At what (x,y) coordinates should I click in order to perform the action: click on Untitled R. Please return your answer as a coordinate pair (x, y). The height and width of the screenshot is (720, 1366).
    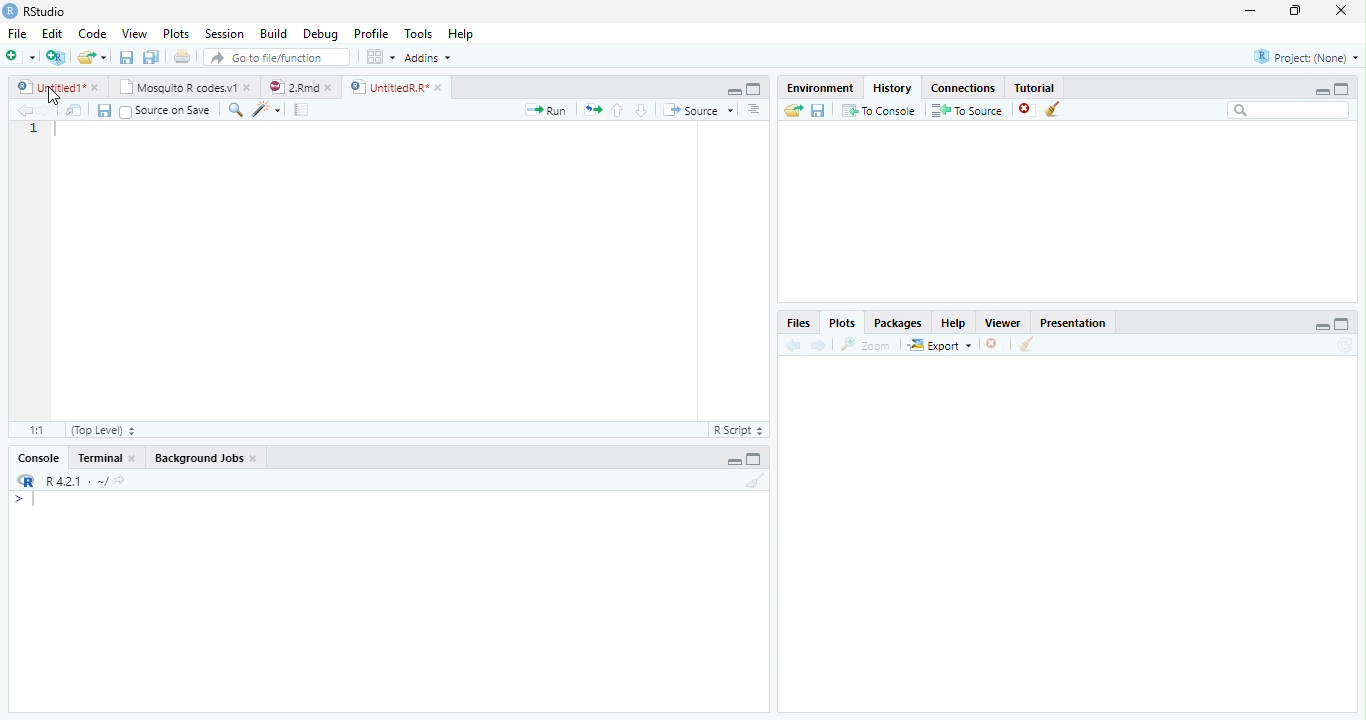
    Looking at the image, I should click on (393, 86).